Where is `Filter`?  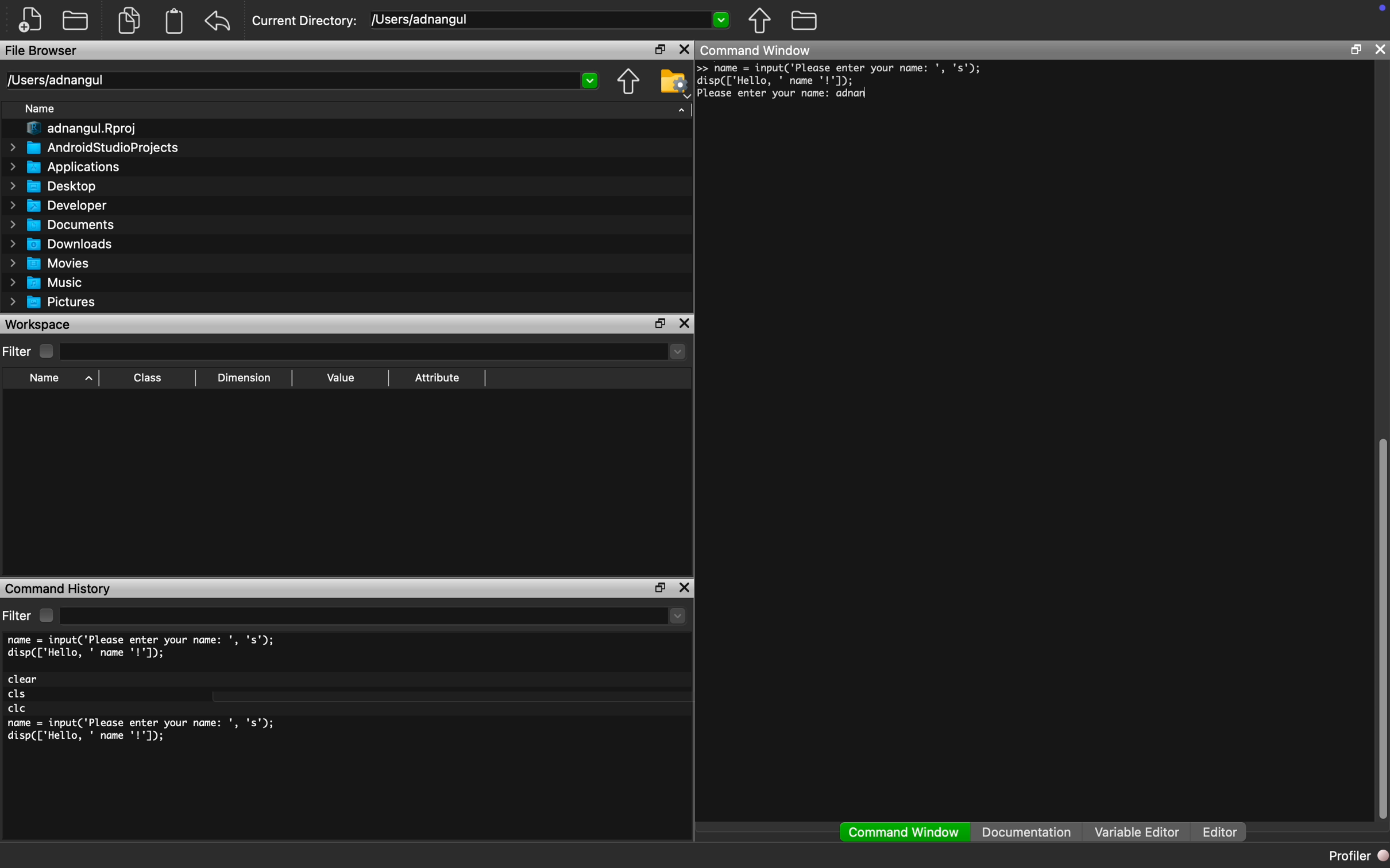
Filter is located at coordinates (30, 615).